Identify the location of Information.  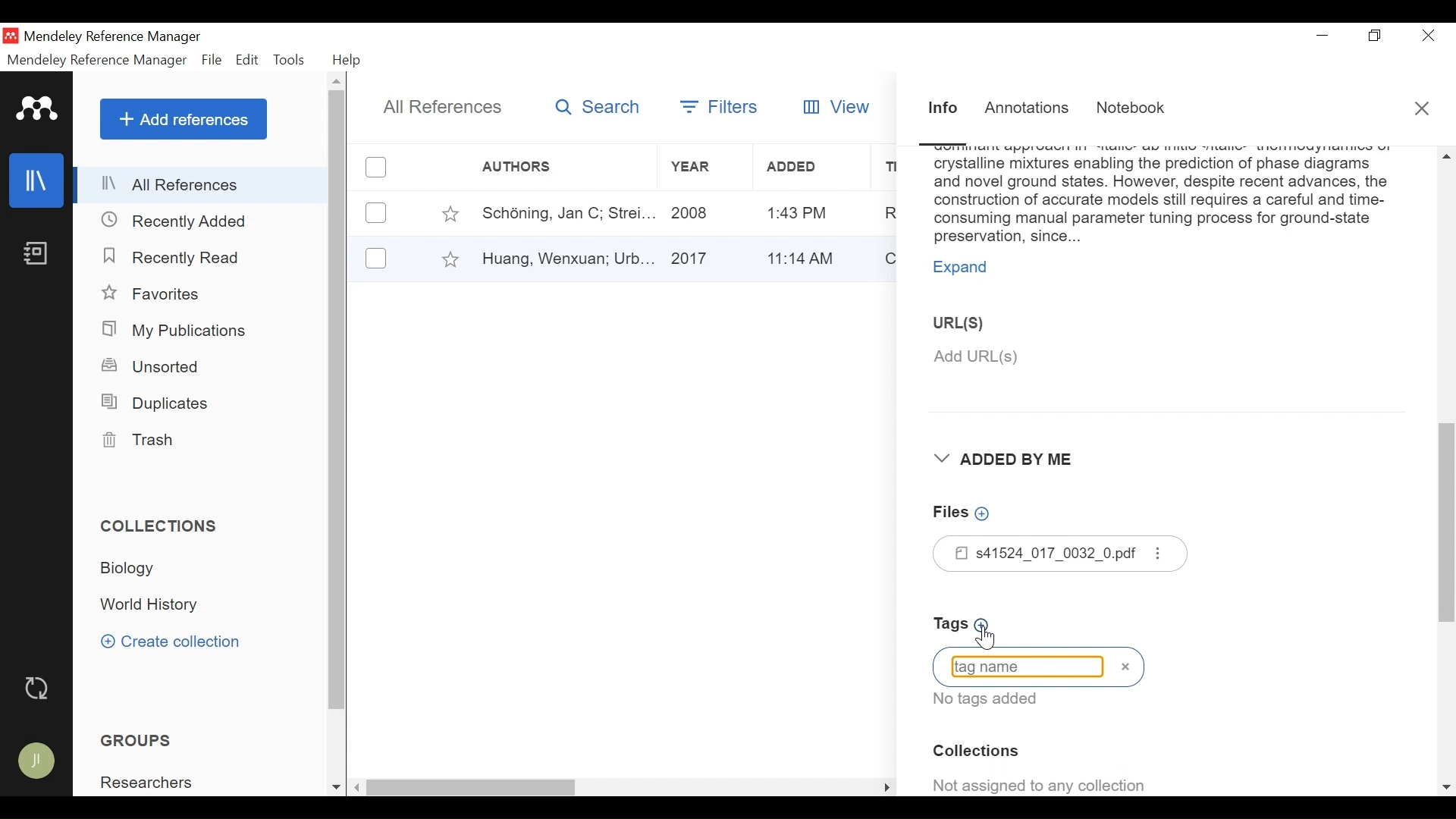
(944, 109).